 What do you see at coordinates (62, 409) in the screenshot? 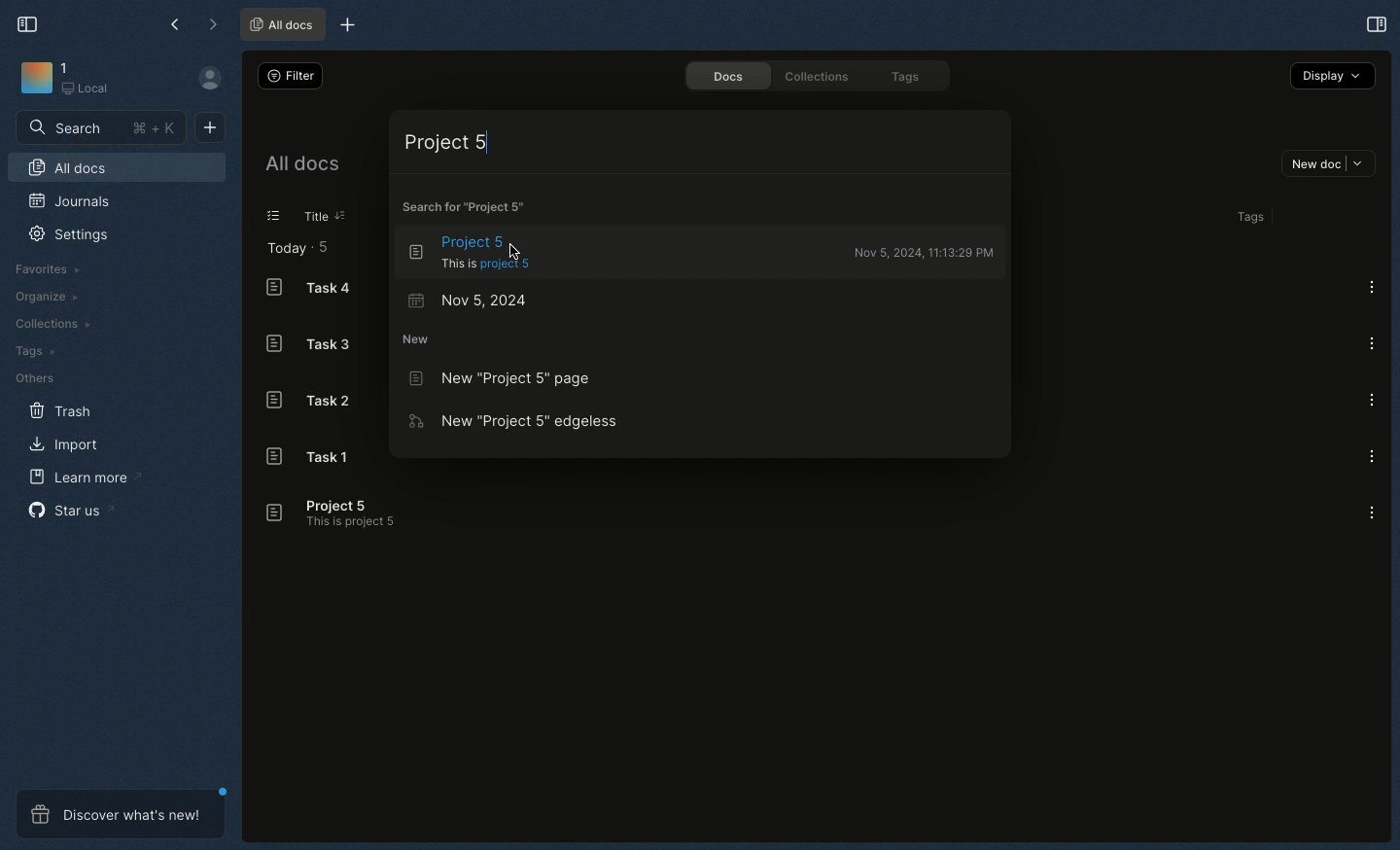
I see `Trash` at bounding box center [62, 409].